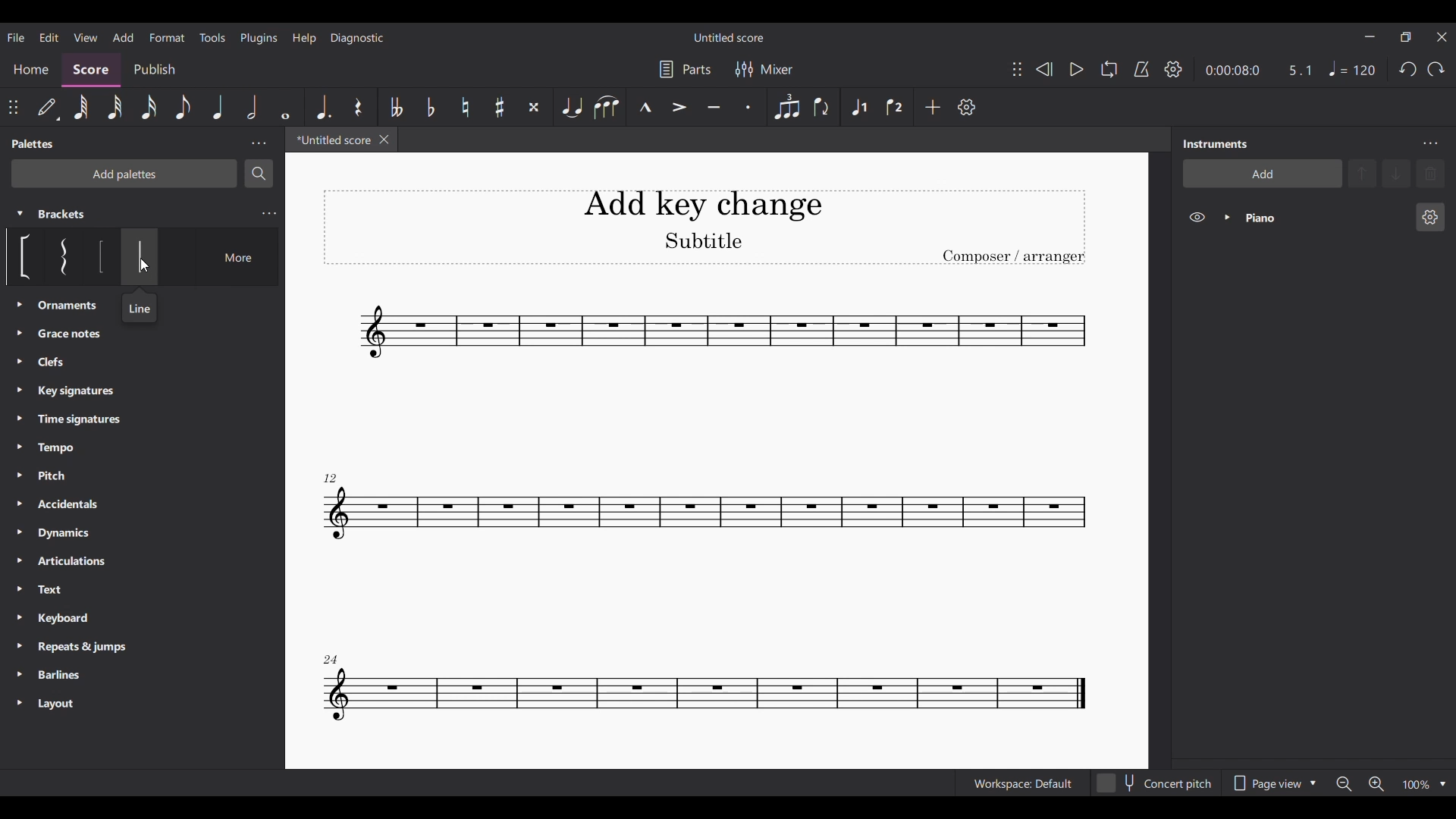 Image resolution: width=1456 pixels, height=819 pixels. I want to click on 64th note, so click(82, 108).